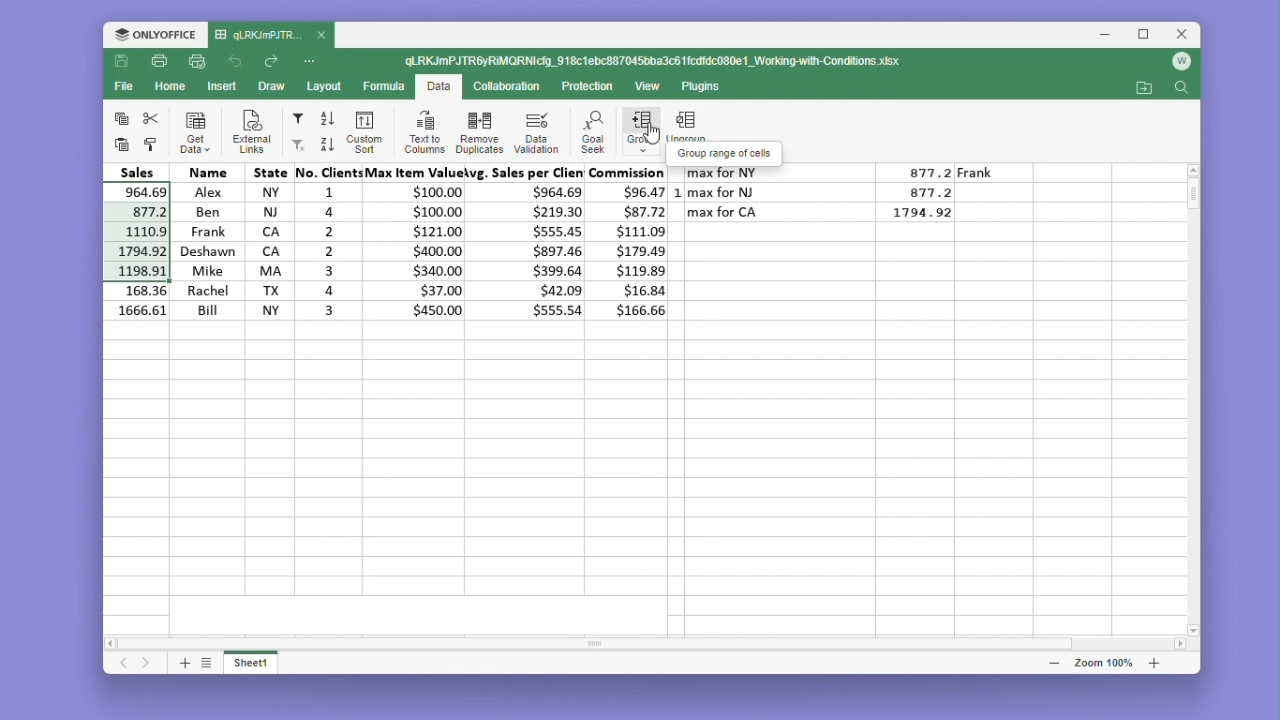 This screenshot has height=720, width=1280. Describe the element at coordinates (155, 36) in the screenshot. I see `Only office logo` at that location.